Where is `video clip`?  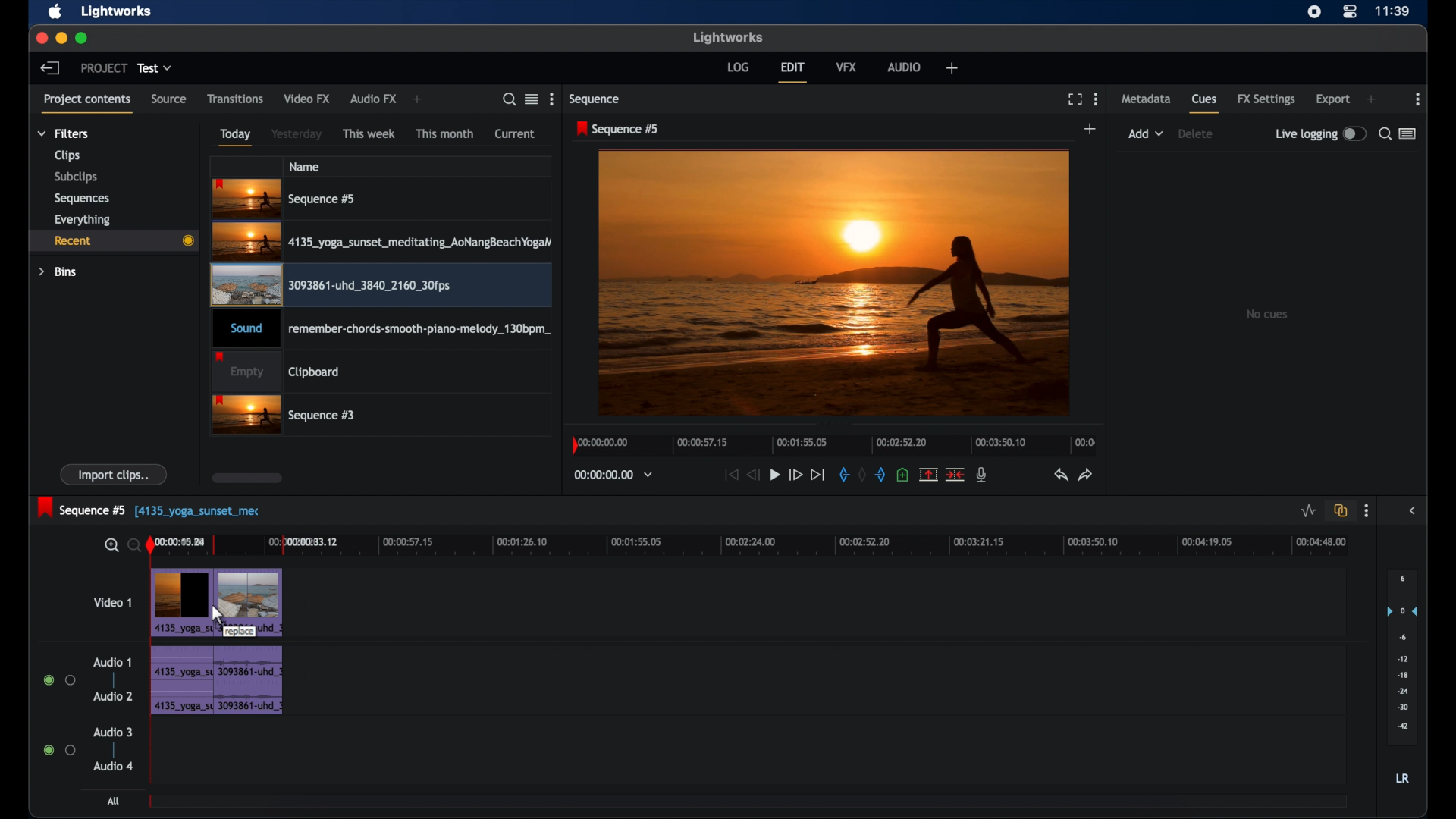 video clip is located at coordinates (381, 243).